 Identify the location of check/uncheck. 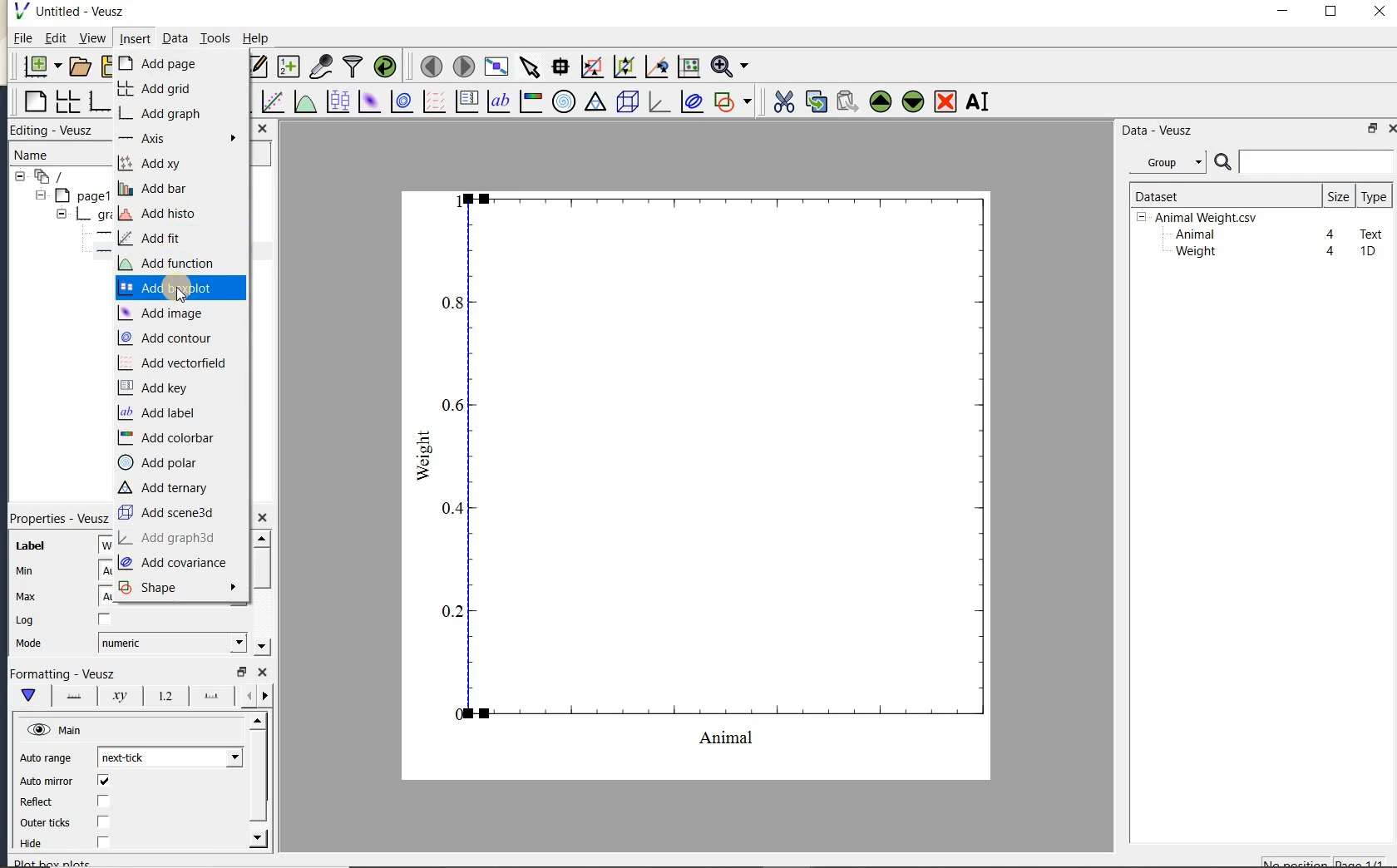
(102, 802).